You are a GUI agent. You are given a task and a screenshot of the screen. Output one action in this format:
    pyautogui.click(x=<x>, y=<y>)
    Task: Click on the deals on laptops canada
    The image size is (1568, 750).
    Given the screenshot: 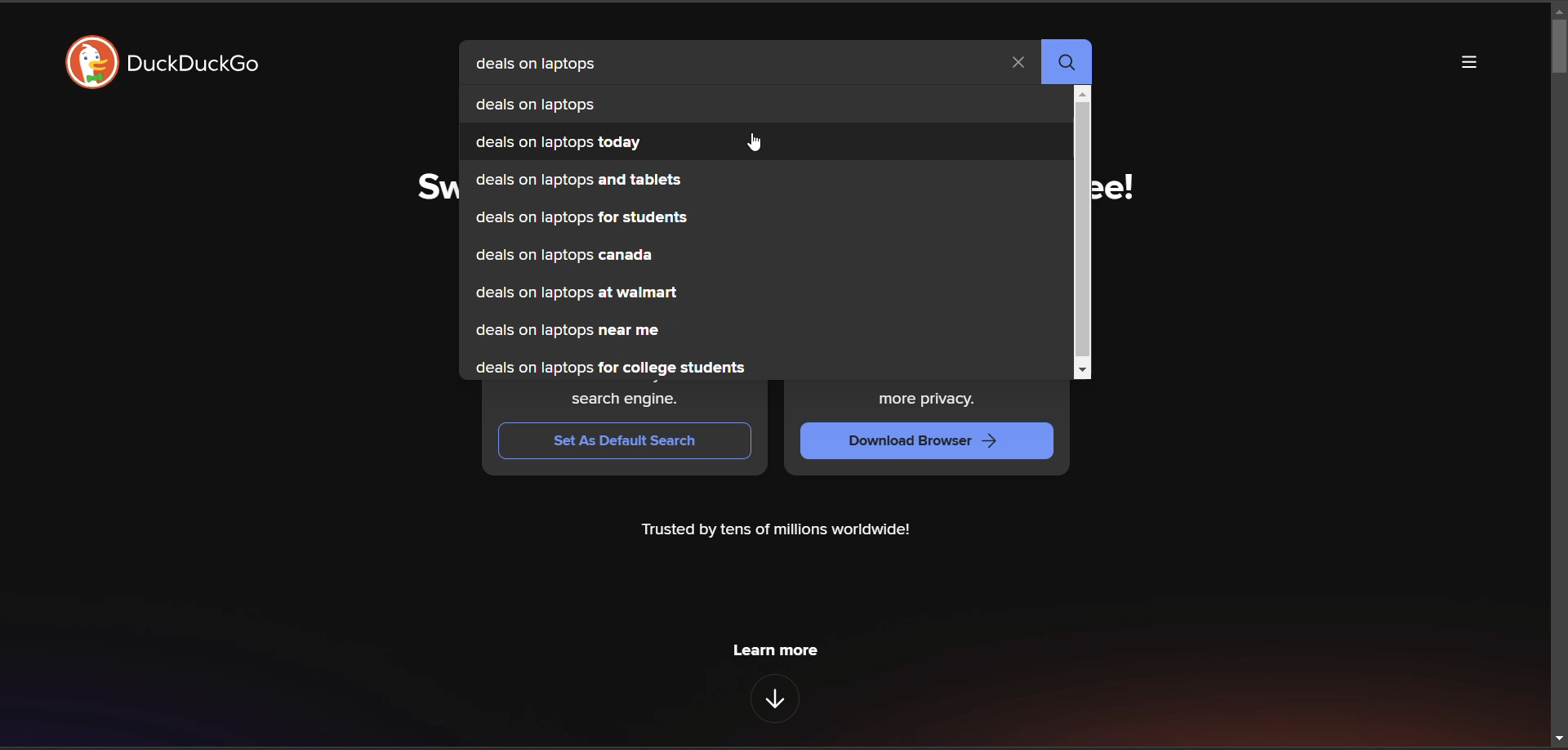 What is the action you would take?
    pyautogui.click(x=569, y=258)
    